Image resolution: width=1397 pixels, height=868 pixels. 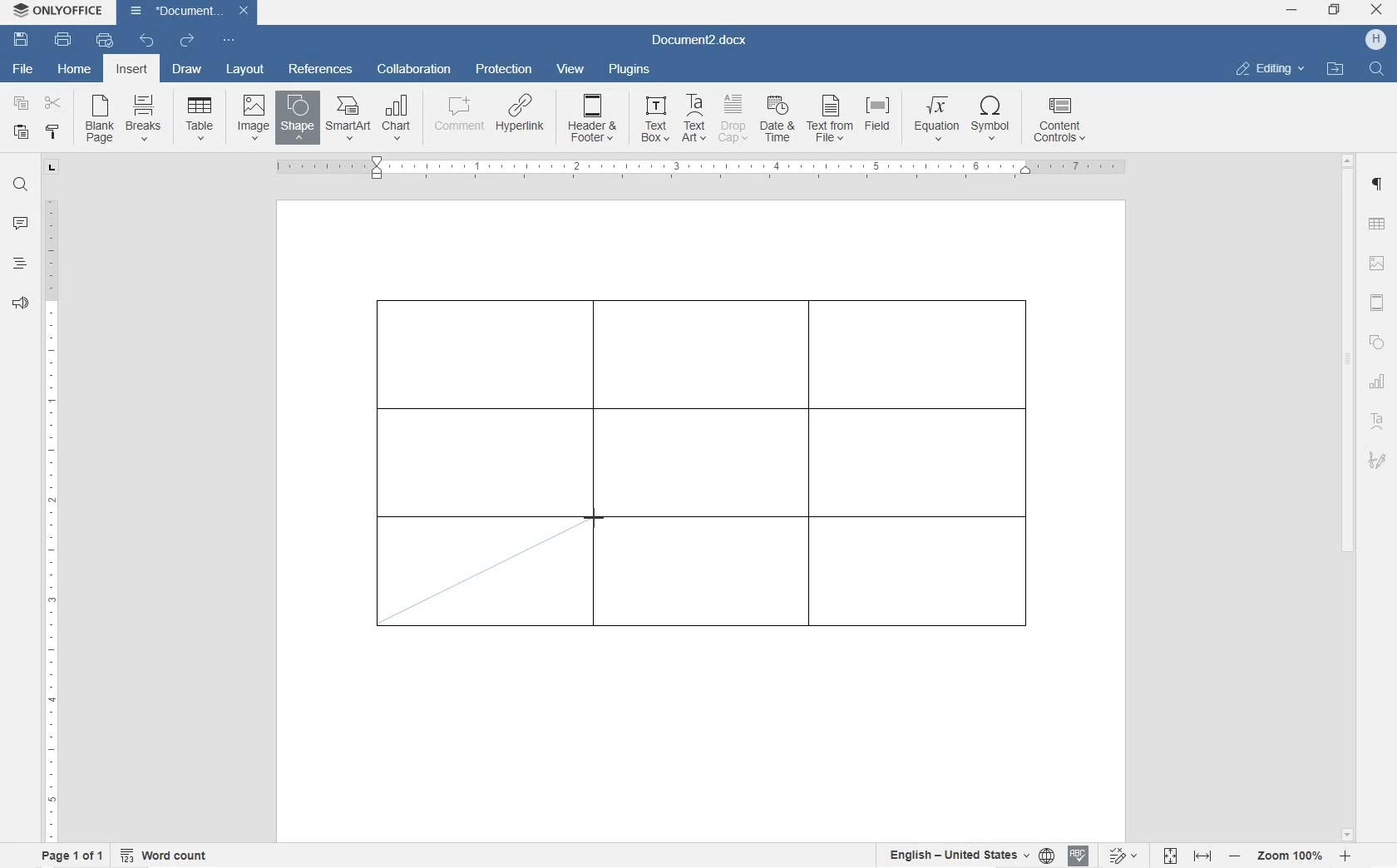 What do you see at coordinates (593, 119) in the screenshot?
I see `HEADER & OOTER` at bounding box center [593, 119].